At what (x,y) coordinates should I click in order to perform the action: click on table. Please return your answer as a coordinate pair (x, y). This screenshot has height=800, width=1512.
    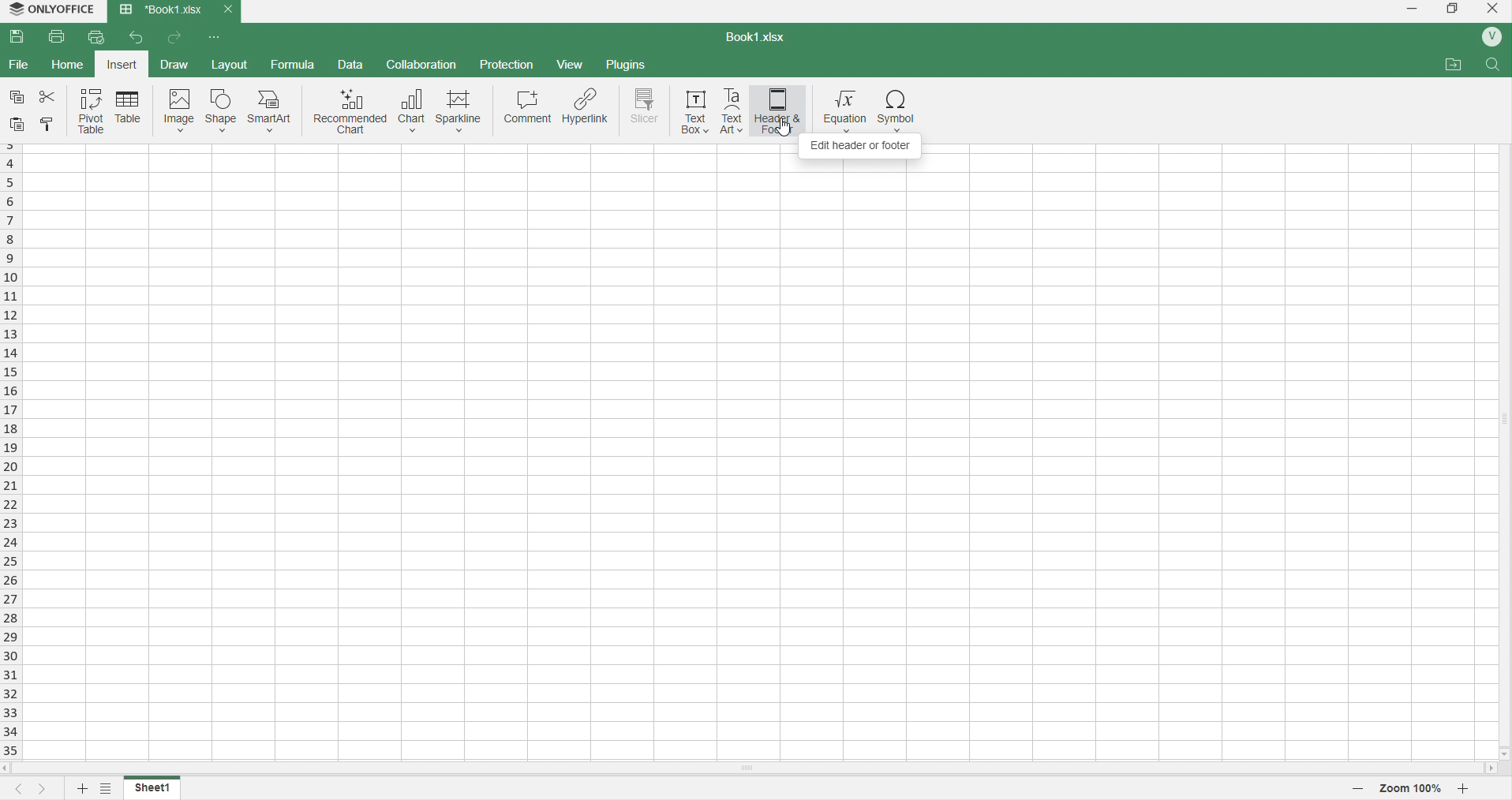
    Looking at the image, I should click on (129, 112).